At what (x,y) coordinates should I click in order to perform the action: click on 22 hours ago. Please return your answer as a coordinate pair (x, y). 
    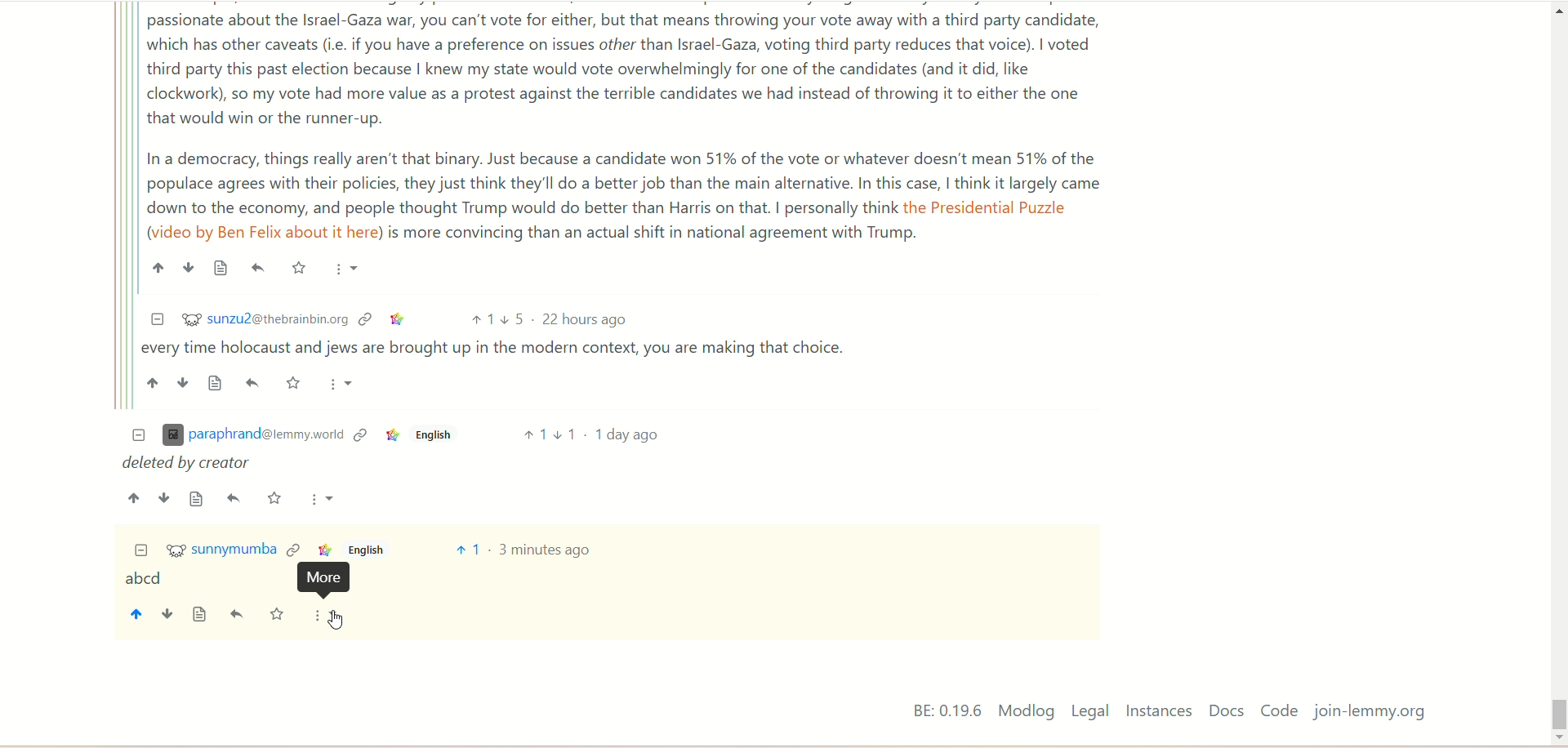
    Looking at the image, I should click on (587, 320).